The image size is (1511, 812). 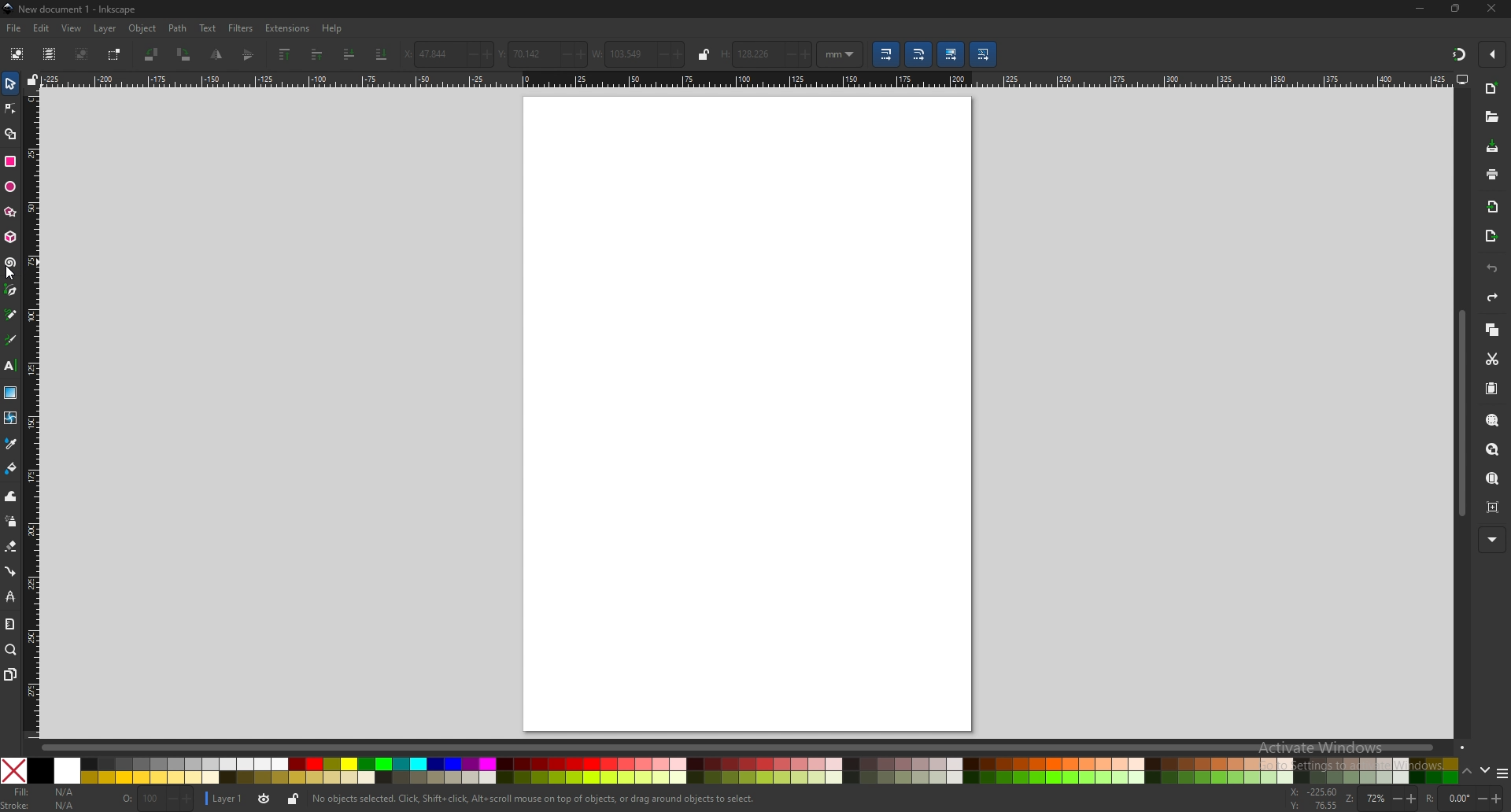 What do you see at coordinates (11, 522) in the screenshot?
I see `spray` at bounding box center [11, 522].